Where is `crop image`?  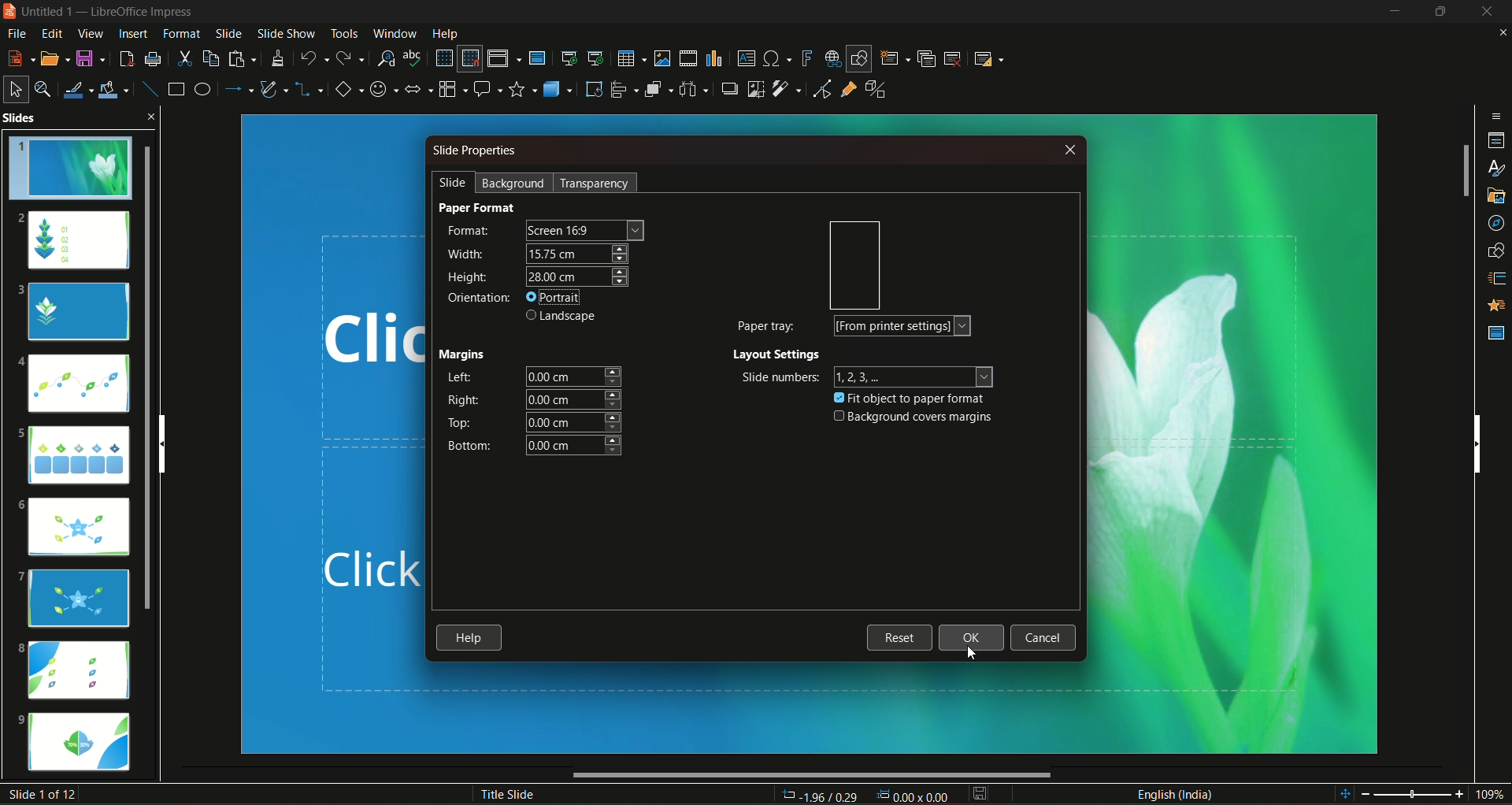
crop image is located at coordinates (754, 88).